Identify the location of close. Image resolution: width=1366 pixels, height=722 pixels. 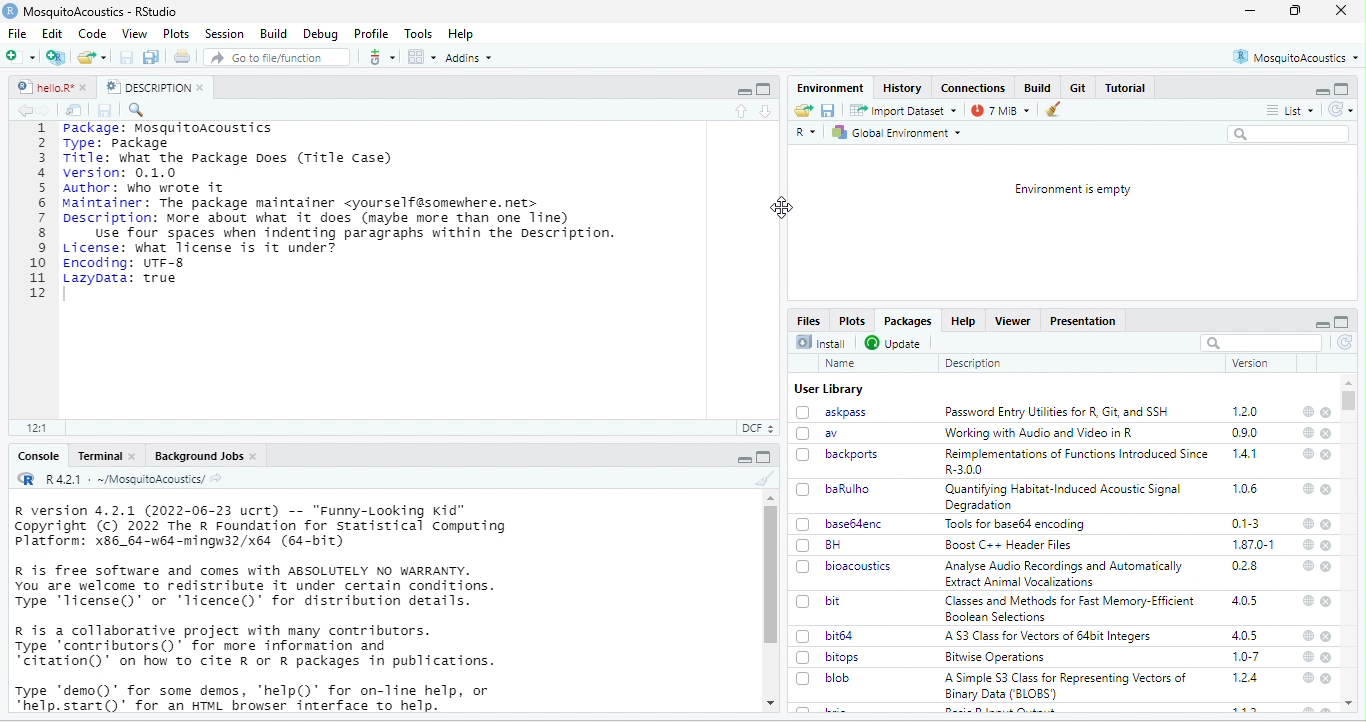
(1328, 637).